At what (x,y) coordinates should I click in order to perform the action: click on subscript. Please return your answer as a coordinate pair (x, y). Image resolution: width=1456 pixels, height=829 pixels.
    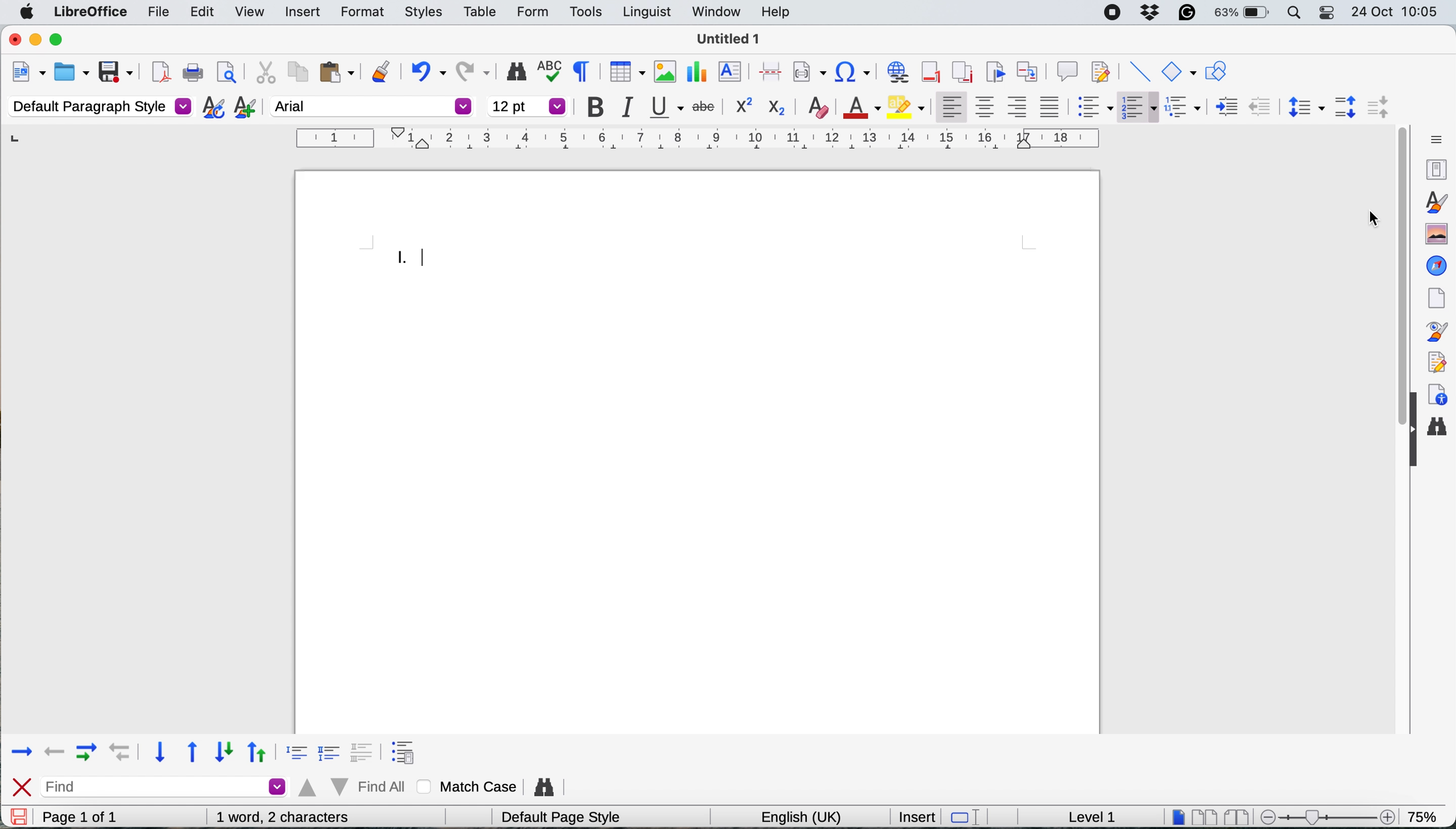
    Looking at the image, I should click on (776, 107).